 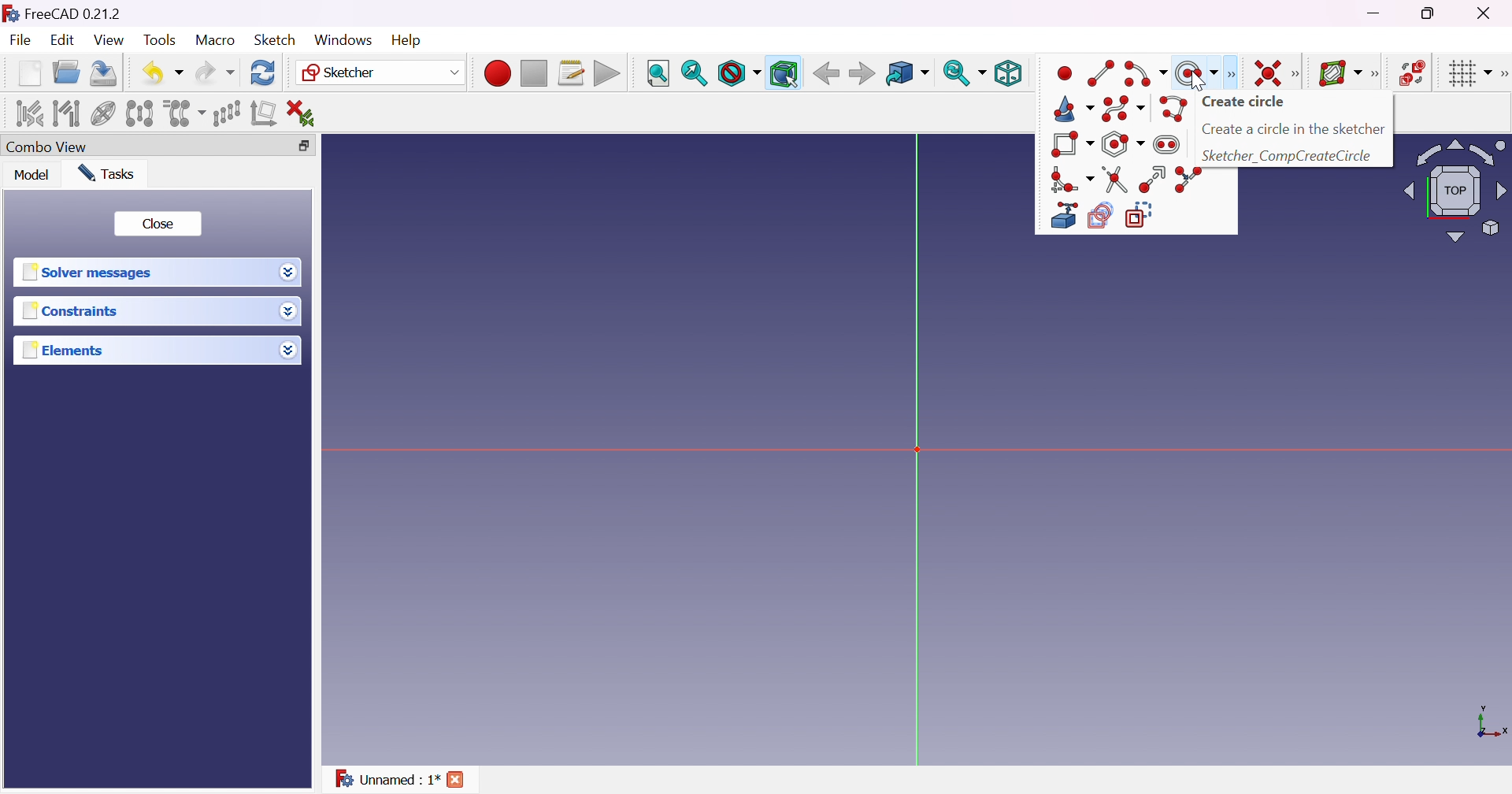 What do you see at coordinates (1071, 143) in the screenshot?
I see `Create rectangle` at bounding box center [1071, 143].